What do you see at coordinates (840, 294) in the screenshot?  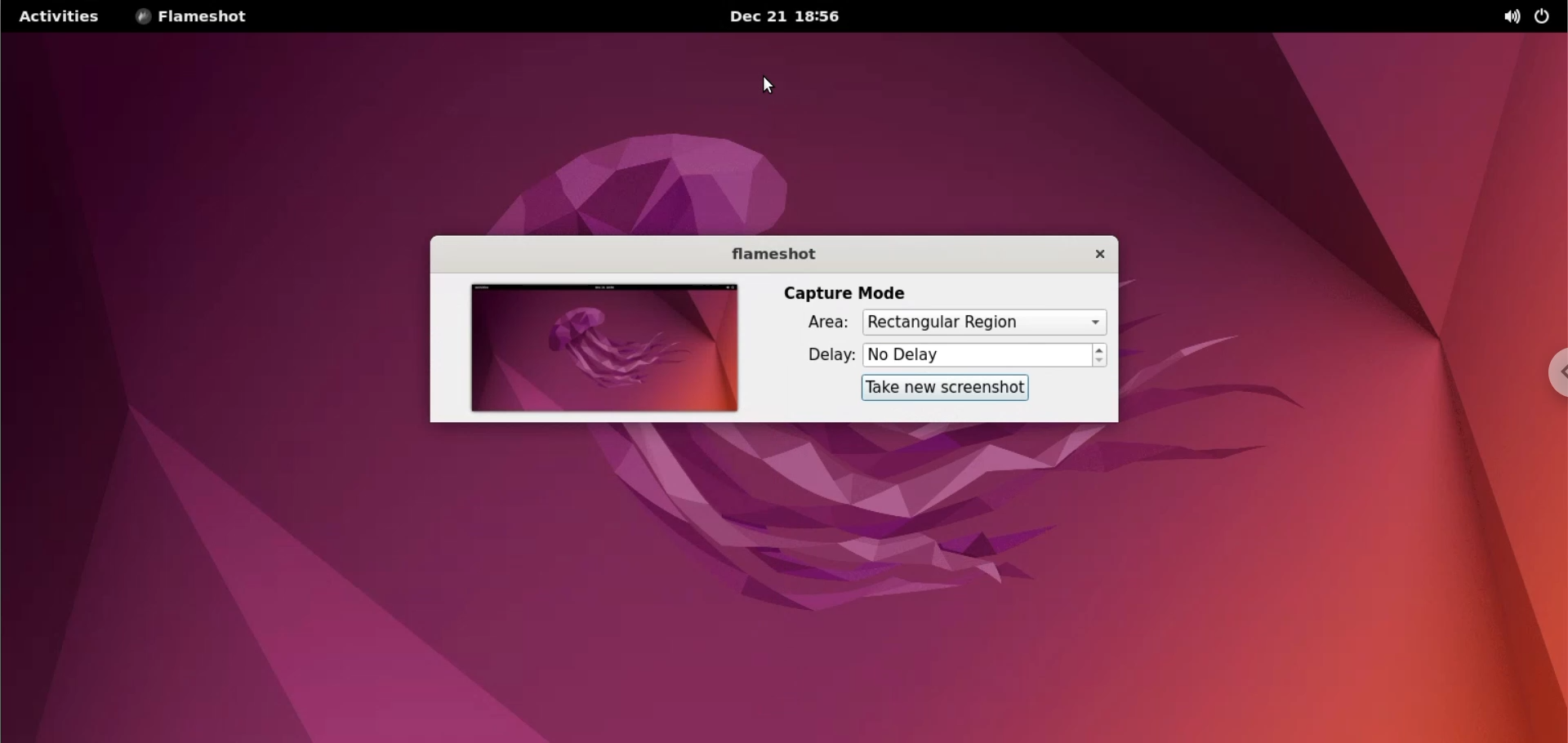 I see `capture mode` at bounding box center [840, 294].